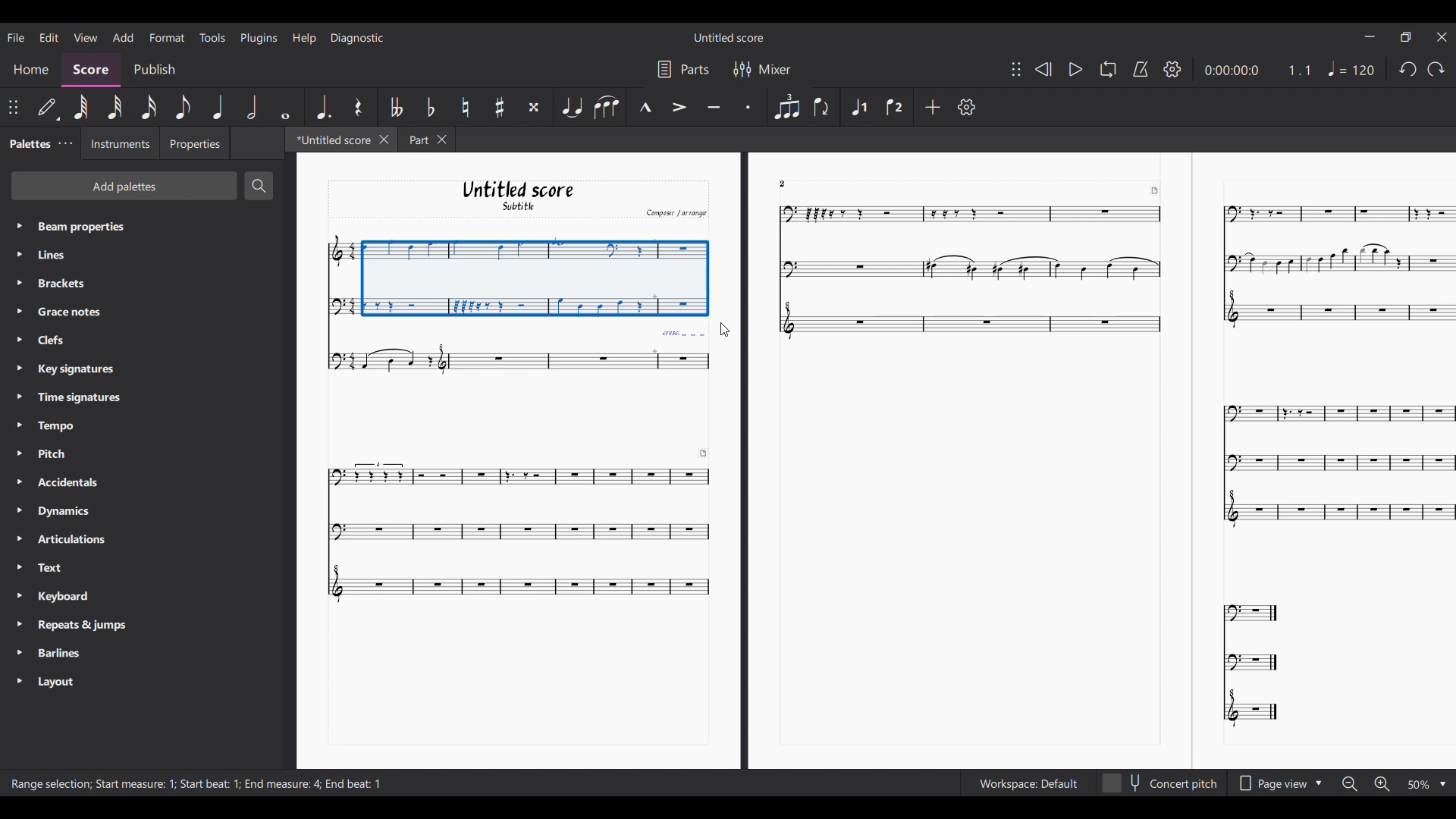 The image size is (1456, 819). Describe the element at coordinates (645, 107) in the screenshot. I see `Marcato` at that location.